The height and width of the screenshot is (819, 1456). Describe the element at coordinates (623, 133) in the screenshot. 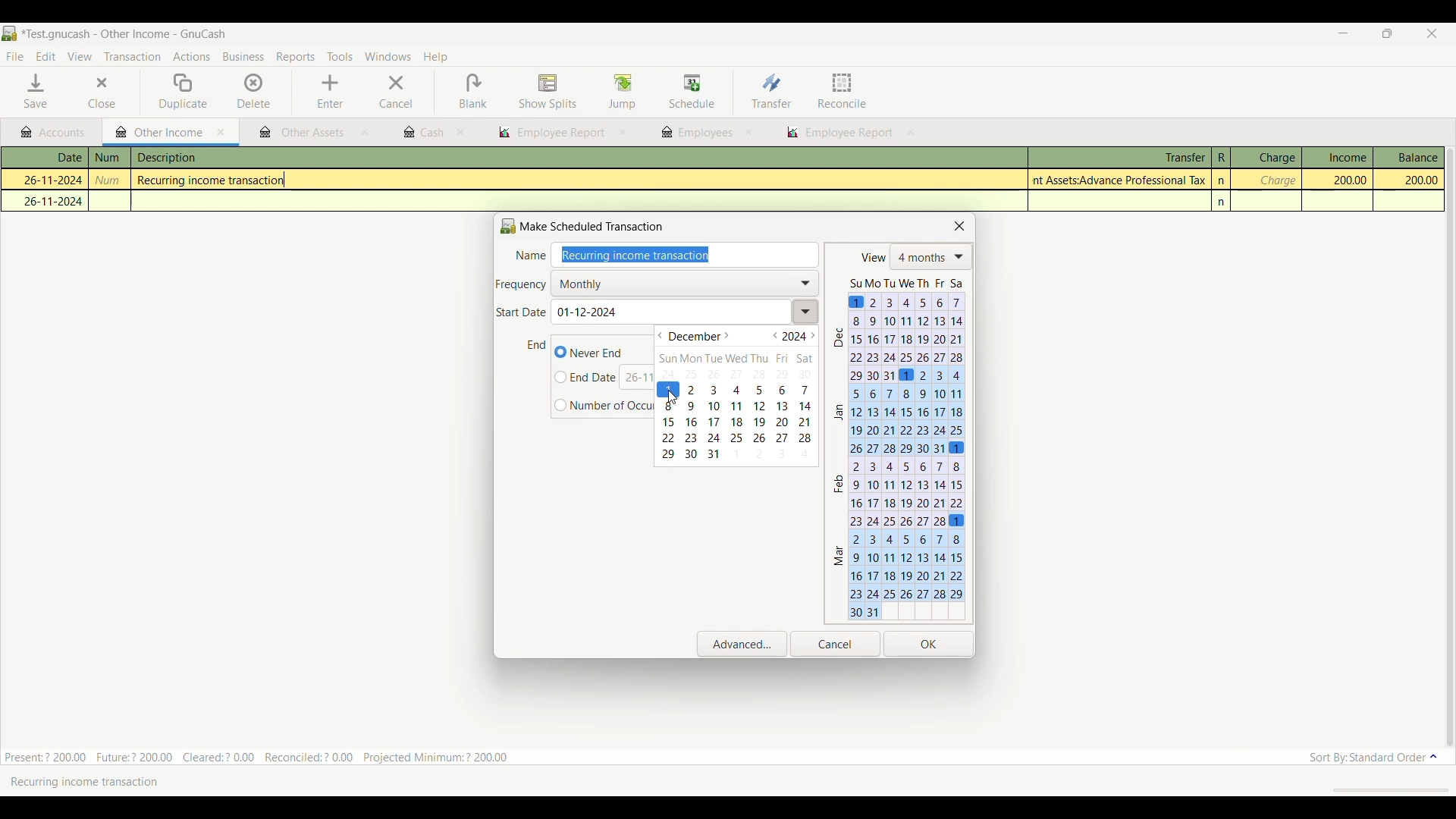

I see `close` at that location.